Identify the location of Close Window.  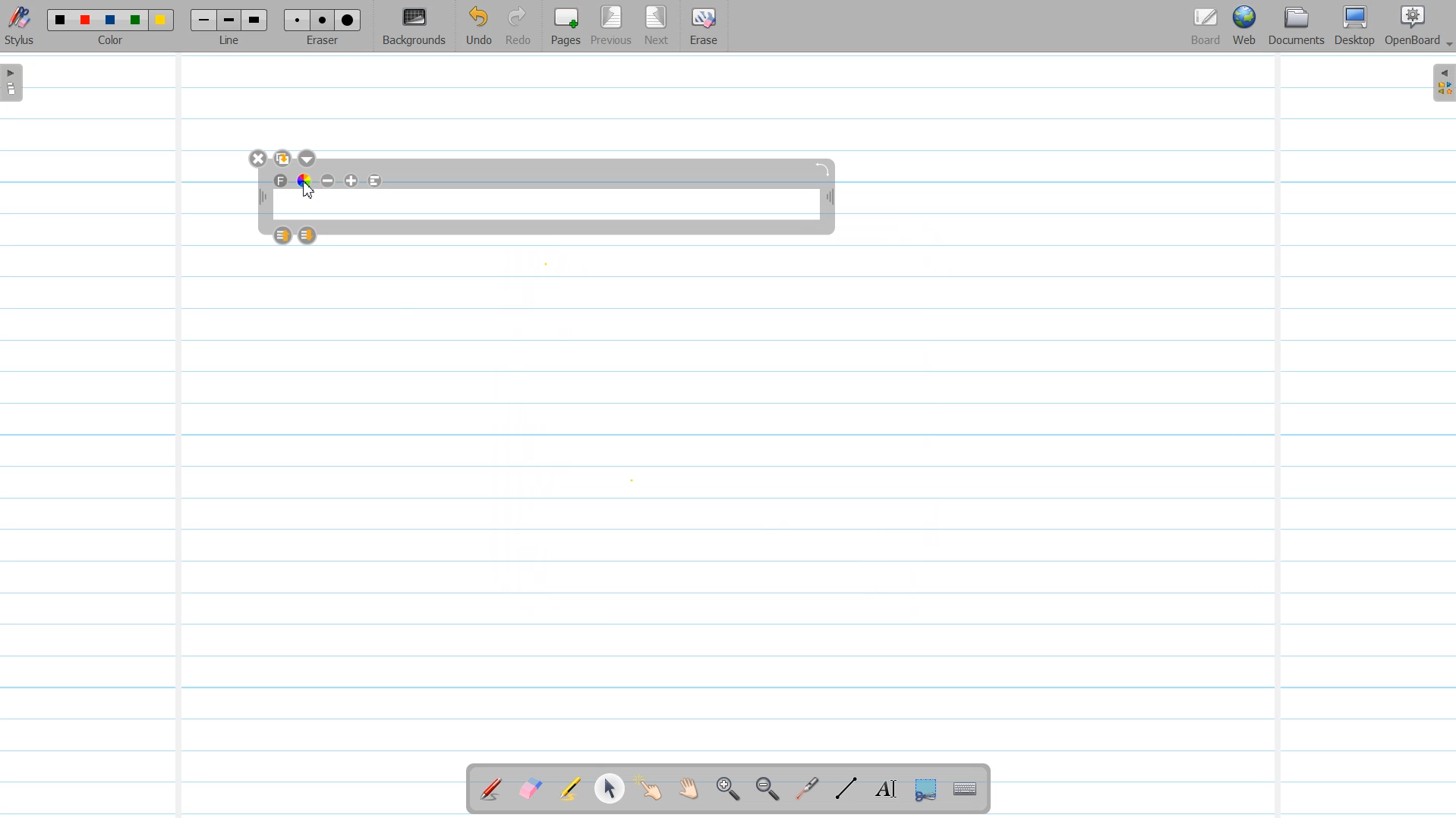
(259, 159).